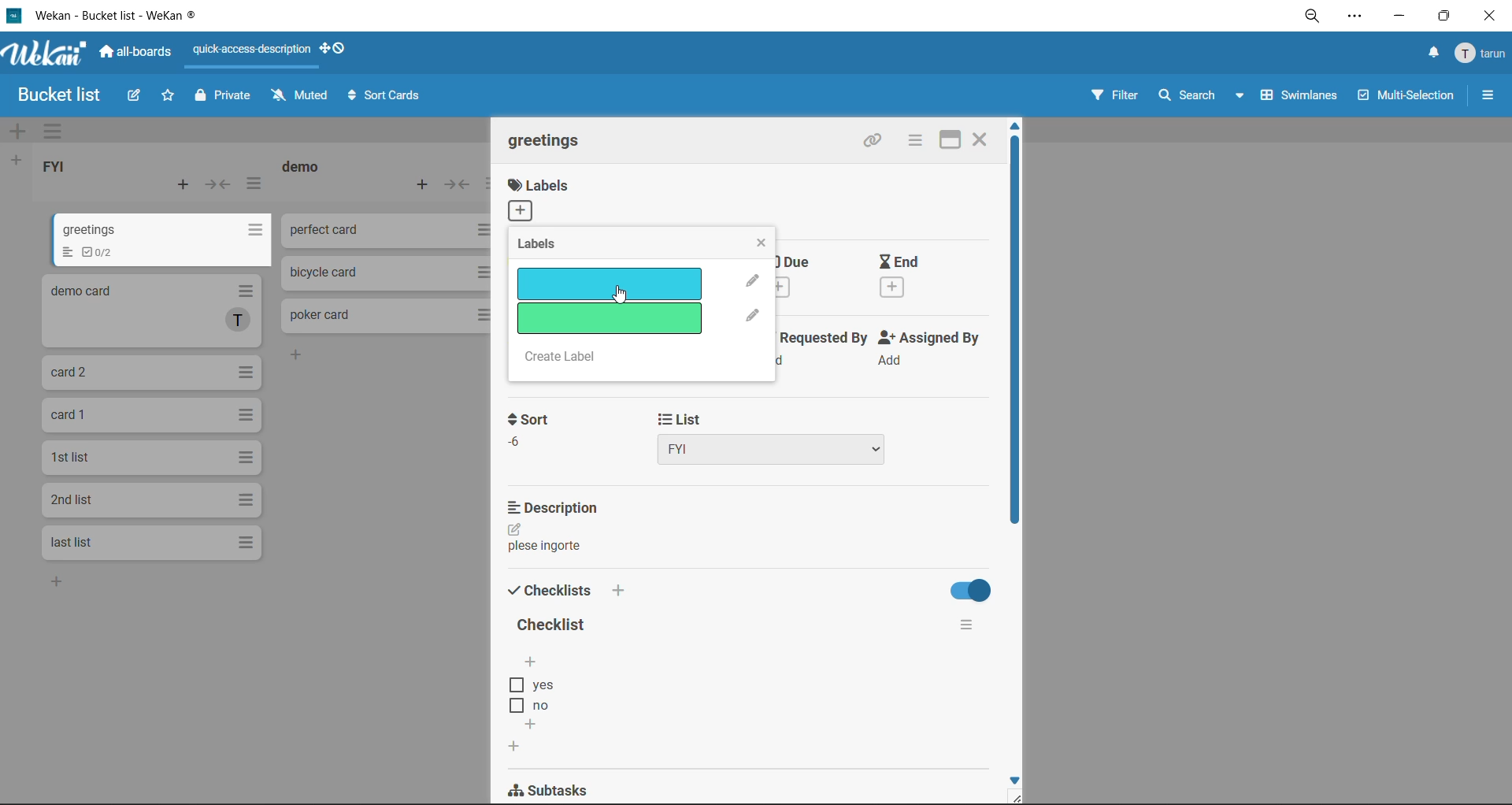 The image size is (1512, 805). What do you see at coordinates (754, 317) in the screenshot?
I see `edit label` at bounding box center [754, 317].